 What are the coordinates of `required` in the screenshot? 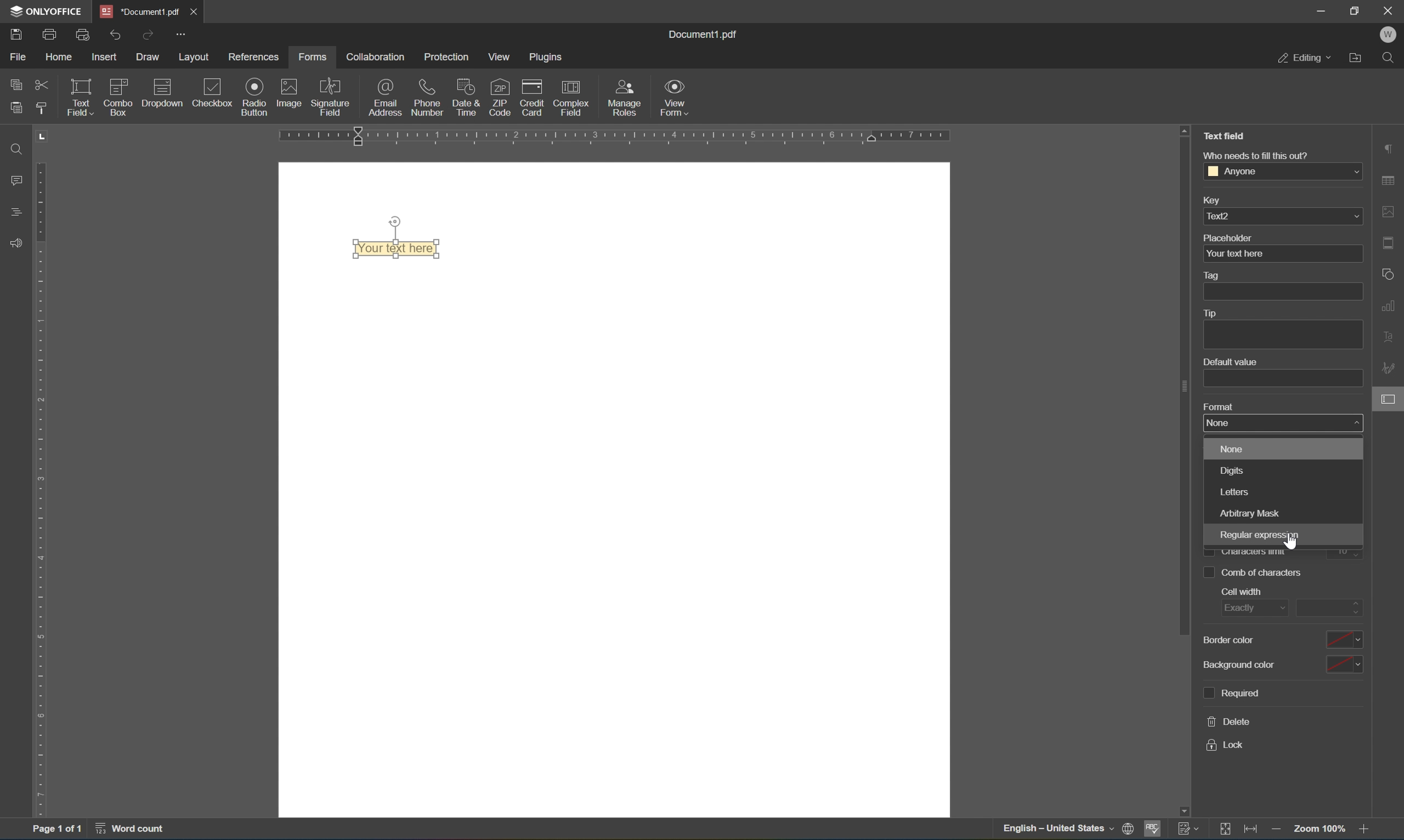 It's located at (1236, 694).